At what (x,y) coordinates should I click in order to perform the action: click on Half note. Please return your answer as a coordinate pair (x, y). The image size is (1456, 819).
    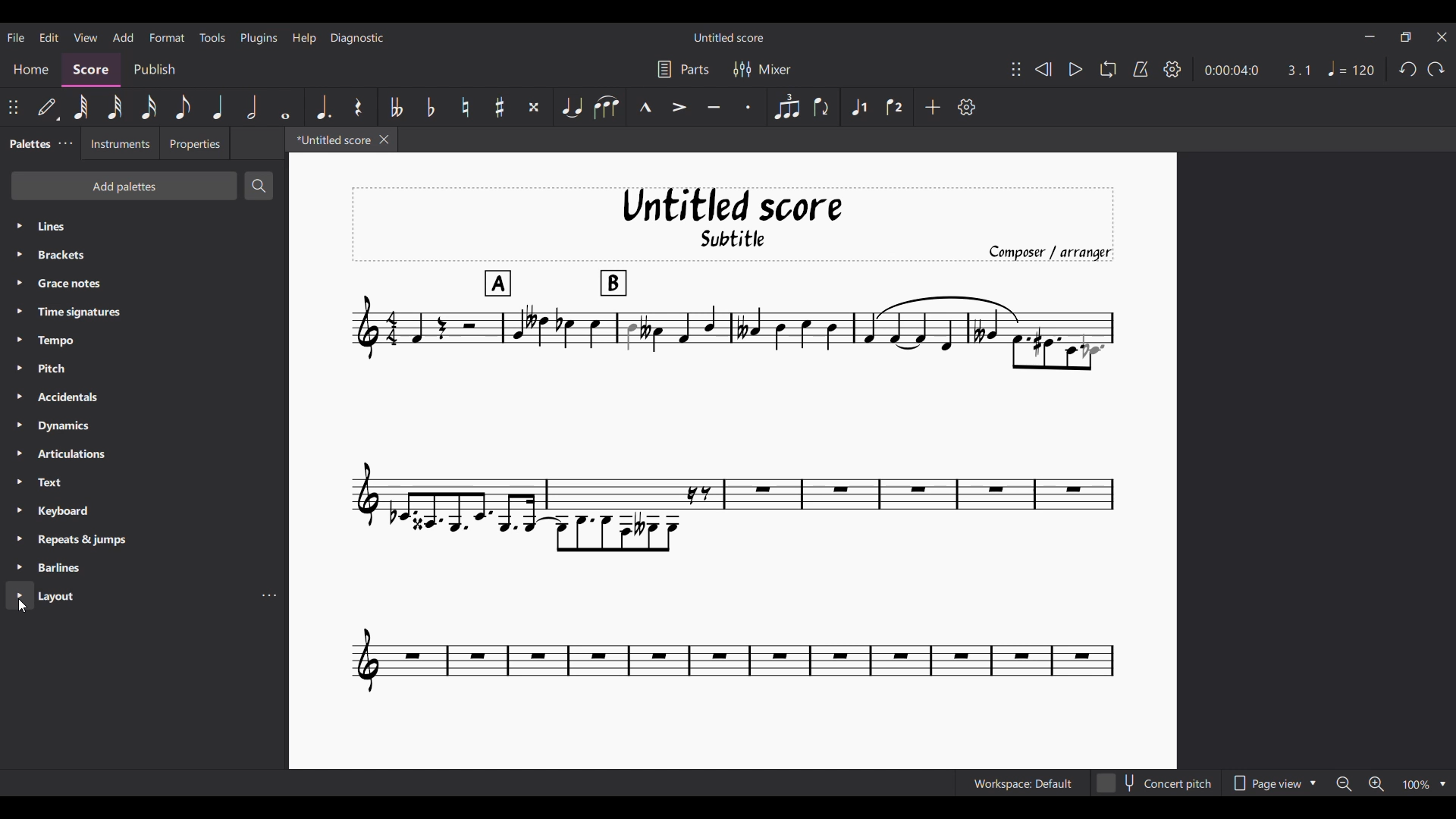
    Looking at the image, I should click on (252, 106).